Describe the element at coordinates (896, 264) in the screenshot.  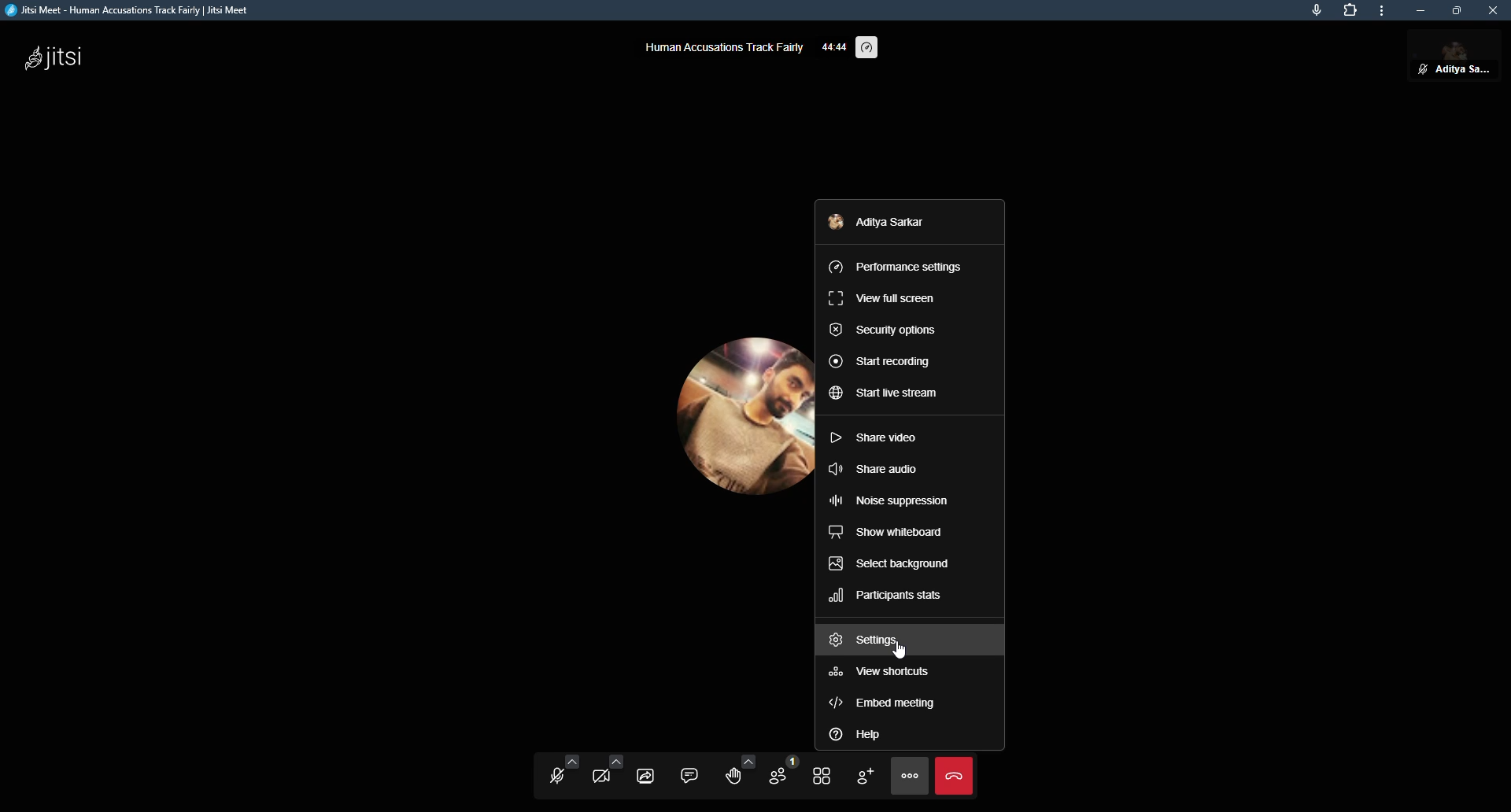
I see `performance setting` at that location.